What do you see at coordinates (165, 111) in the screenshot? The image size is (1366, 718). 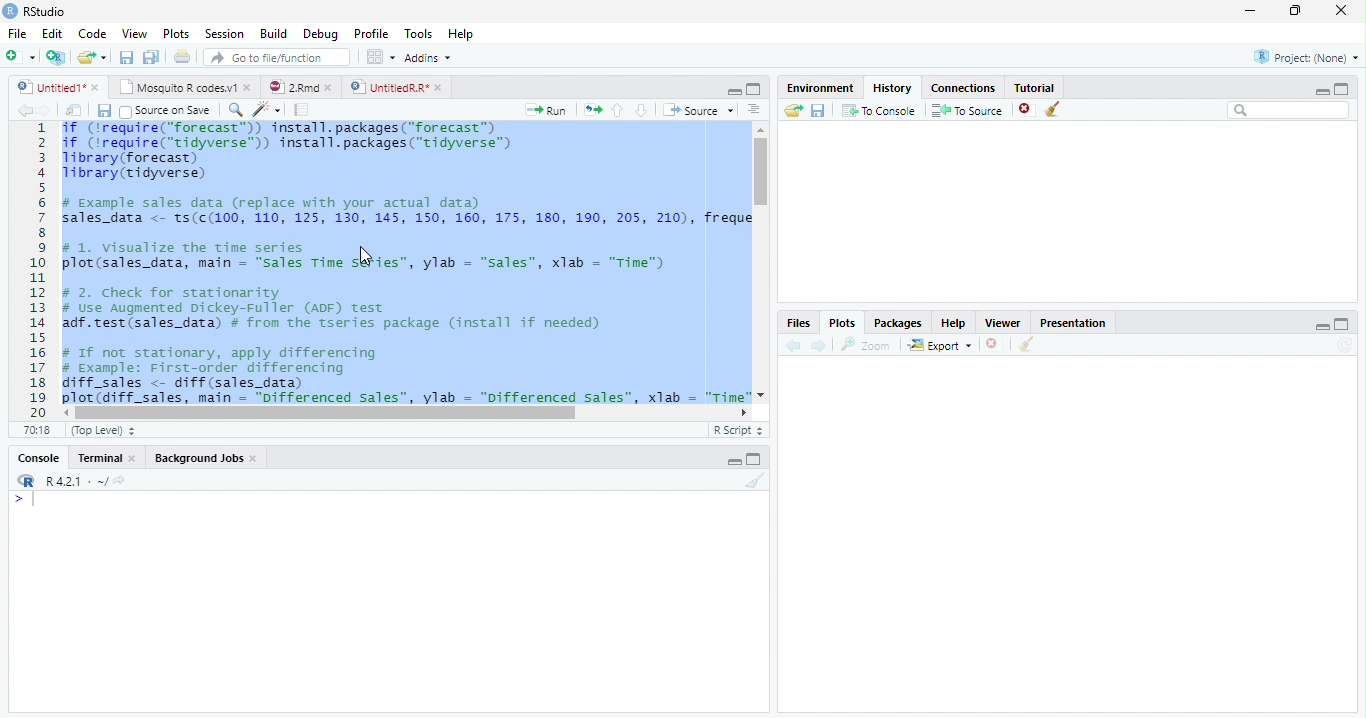 I see `Source on Save` at bounding box center [165, 111].